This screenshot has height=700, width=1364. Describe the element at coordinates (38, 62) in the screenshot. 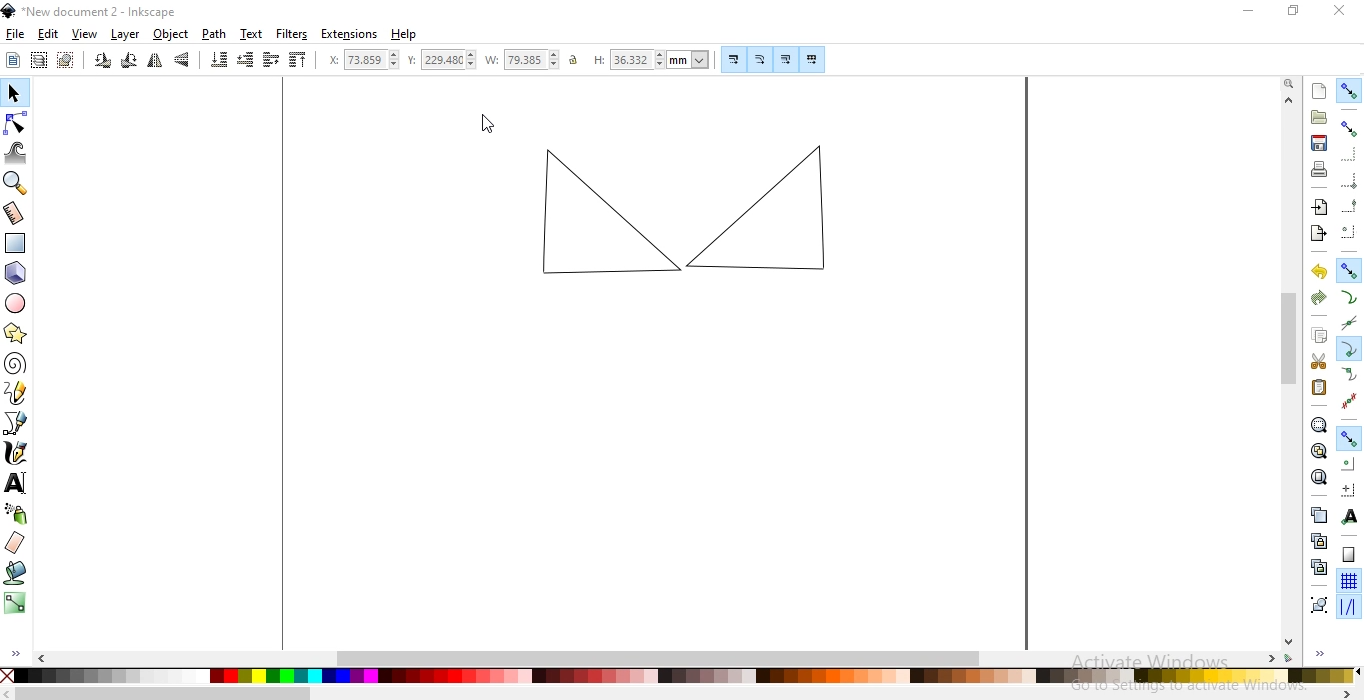

I see `select all objects in al visible and unlocked layers` at that location.